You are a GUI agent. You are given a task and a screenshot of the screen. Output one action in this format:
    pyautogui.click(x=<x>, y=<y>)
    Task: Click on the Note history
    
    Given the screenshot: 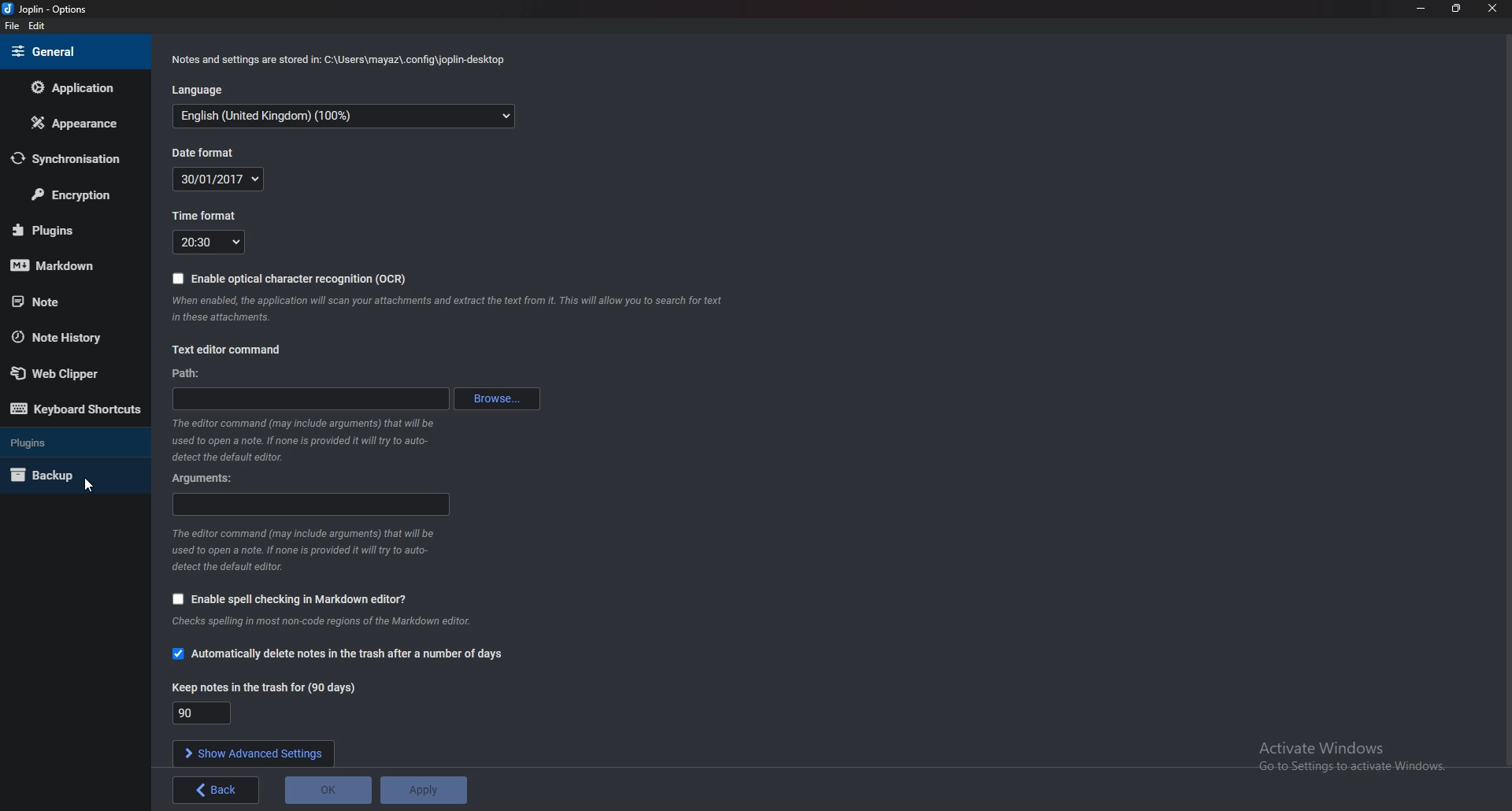 What is the action you would take?
    pyautogui.click(x=70, y=337)
    